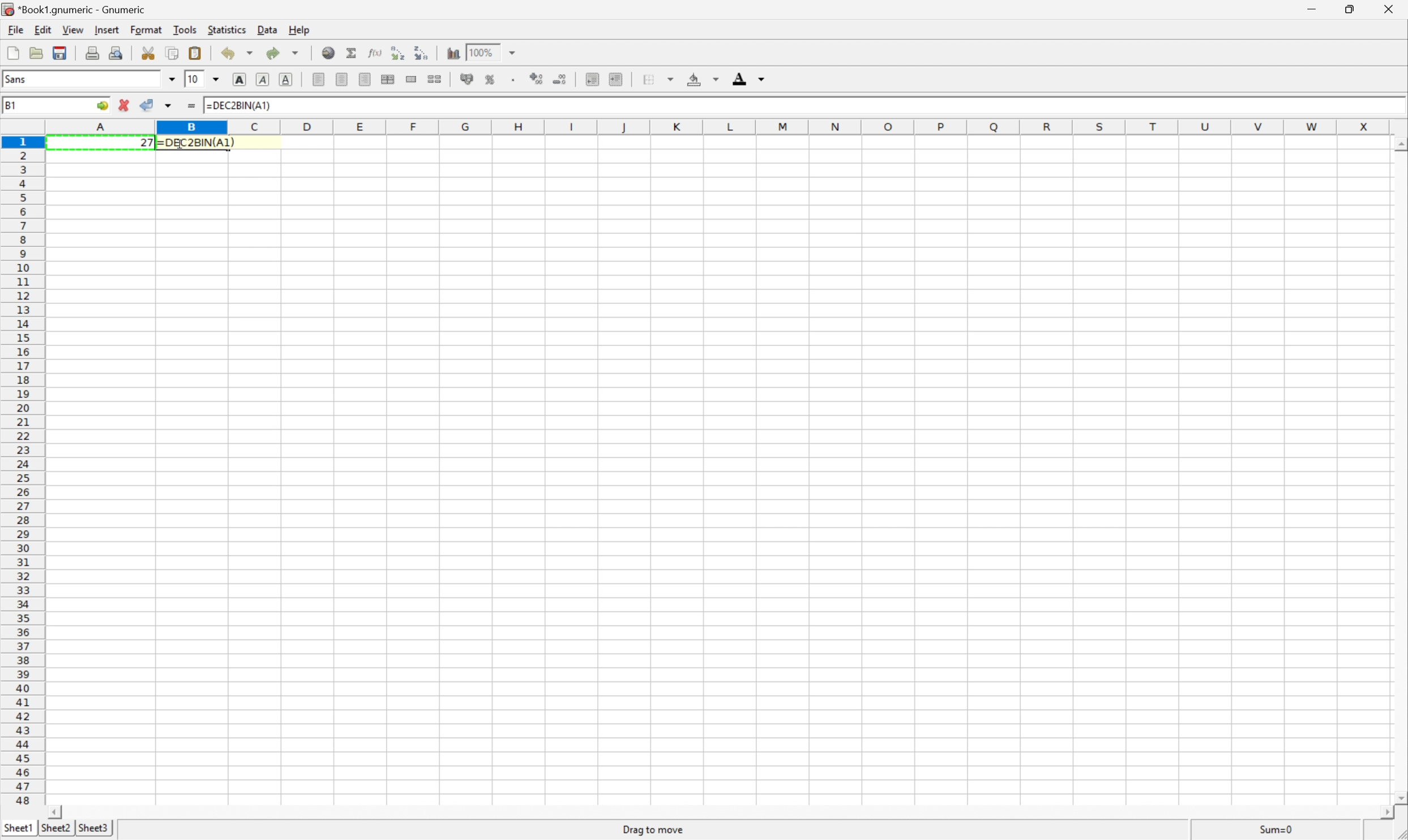 The width and height of the screenshot is (1408, 840). I want to click on Save current workbook, so click(61, 53).